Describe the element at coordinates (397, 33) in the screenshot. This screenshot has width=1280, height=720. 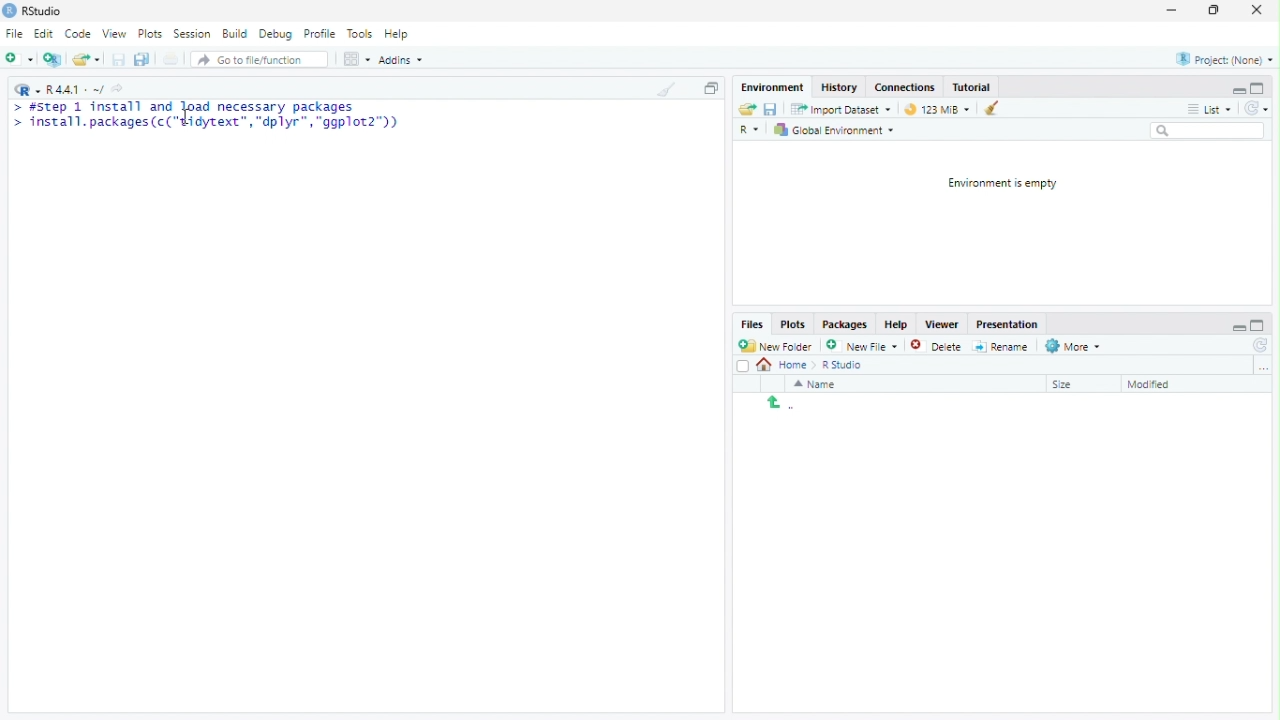
I see `Help` at that location.